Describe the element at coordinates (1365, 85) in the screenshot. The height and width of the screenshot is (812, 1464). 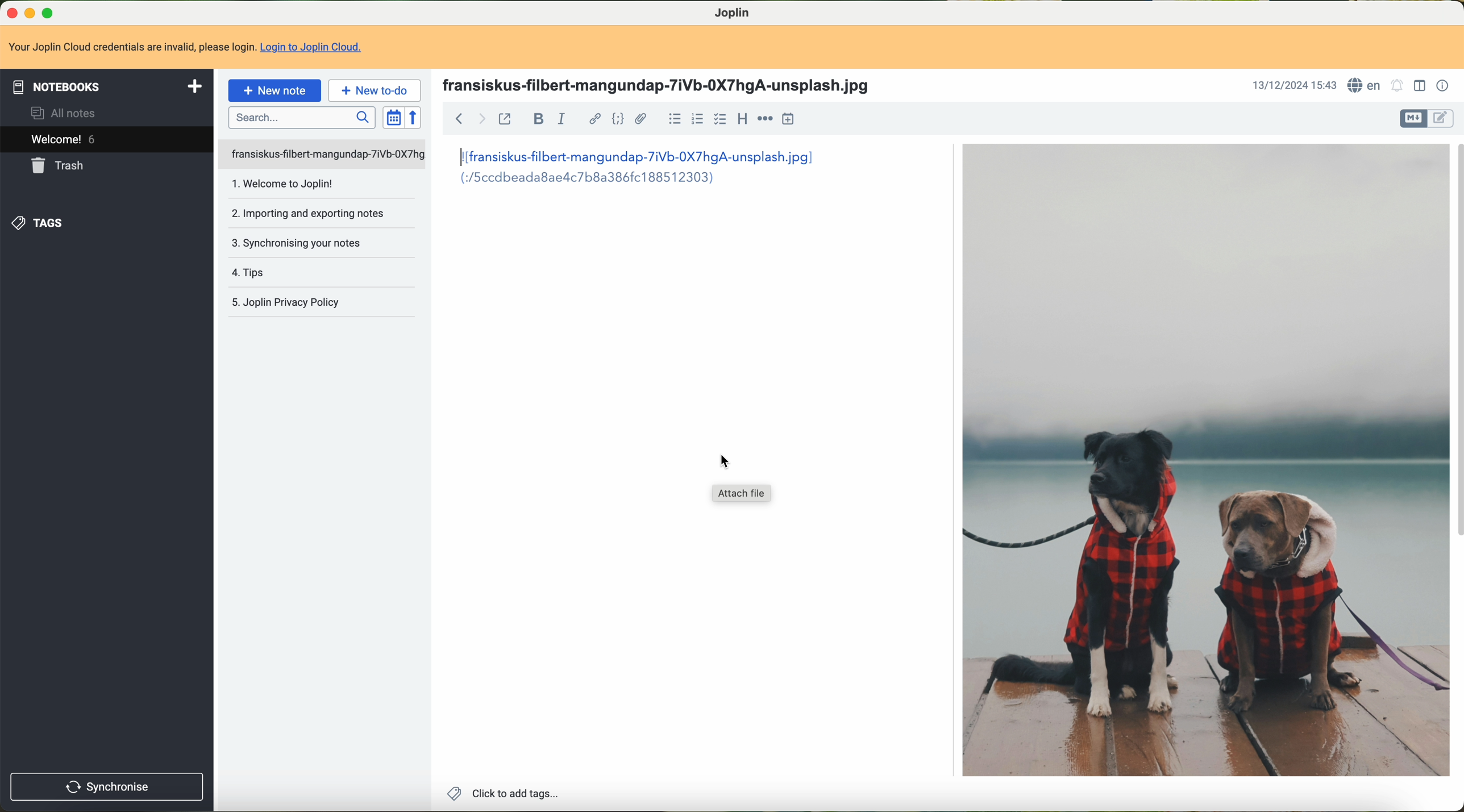
I see `language` at that location.